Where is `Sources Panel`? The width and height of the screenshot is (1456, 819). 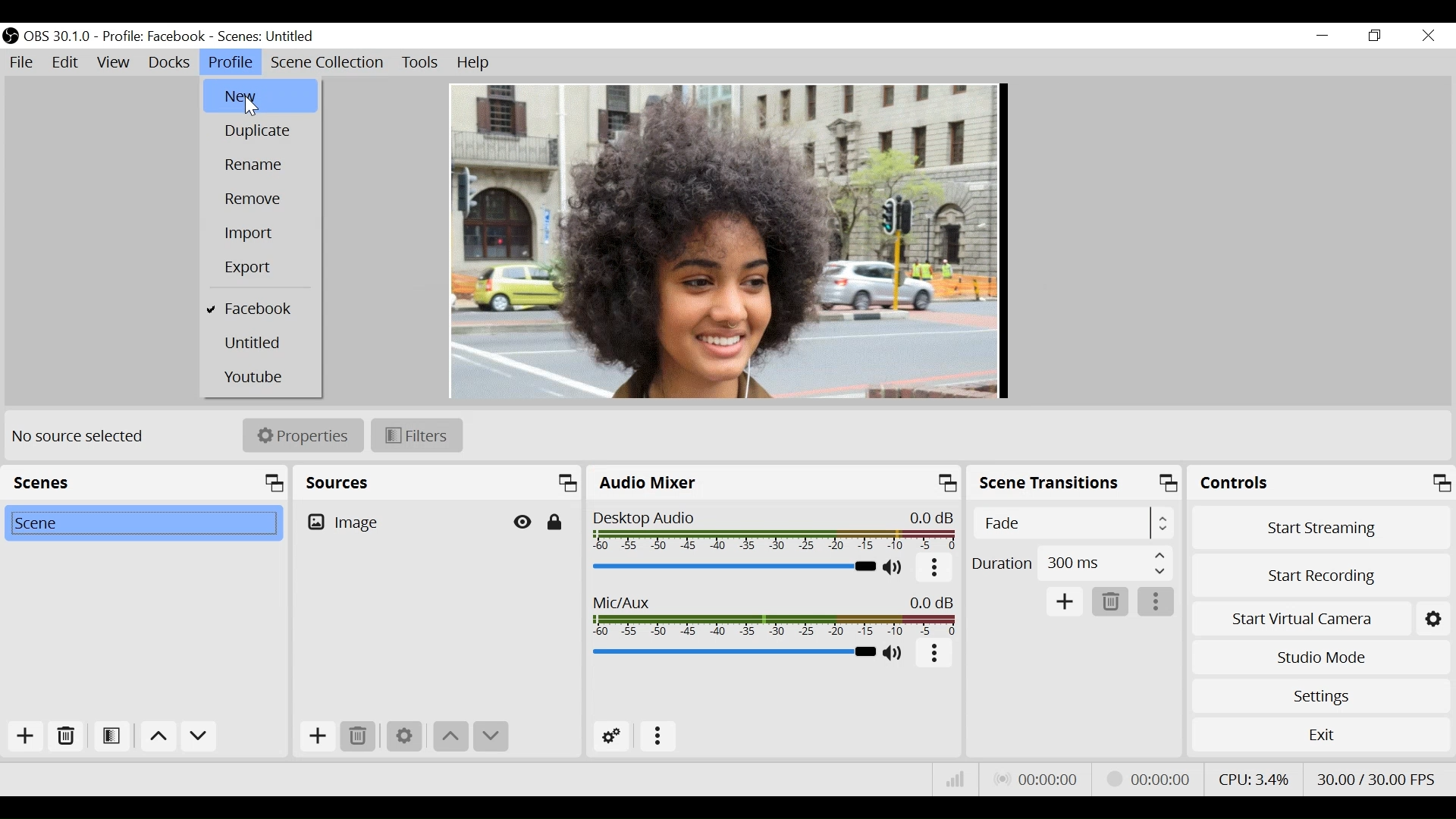
Sources Panel is located at coordinates (438, 482).